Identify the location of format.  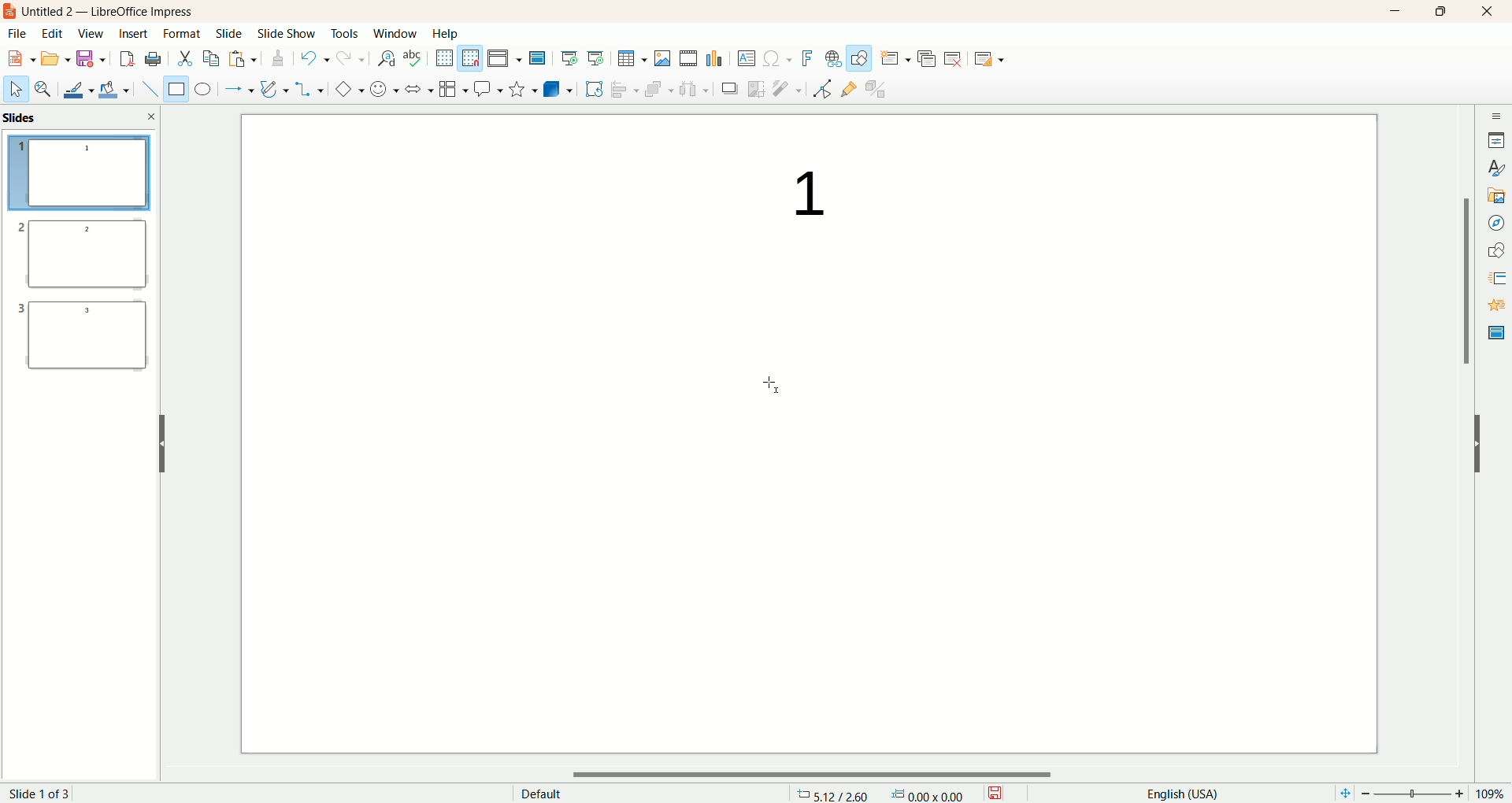
(183, 32).